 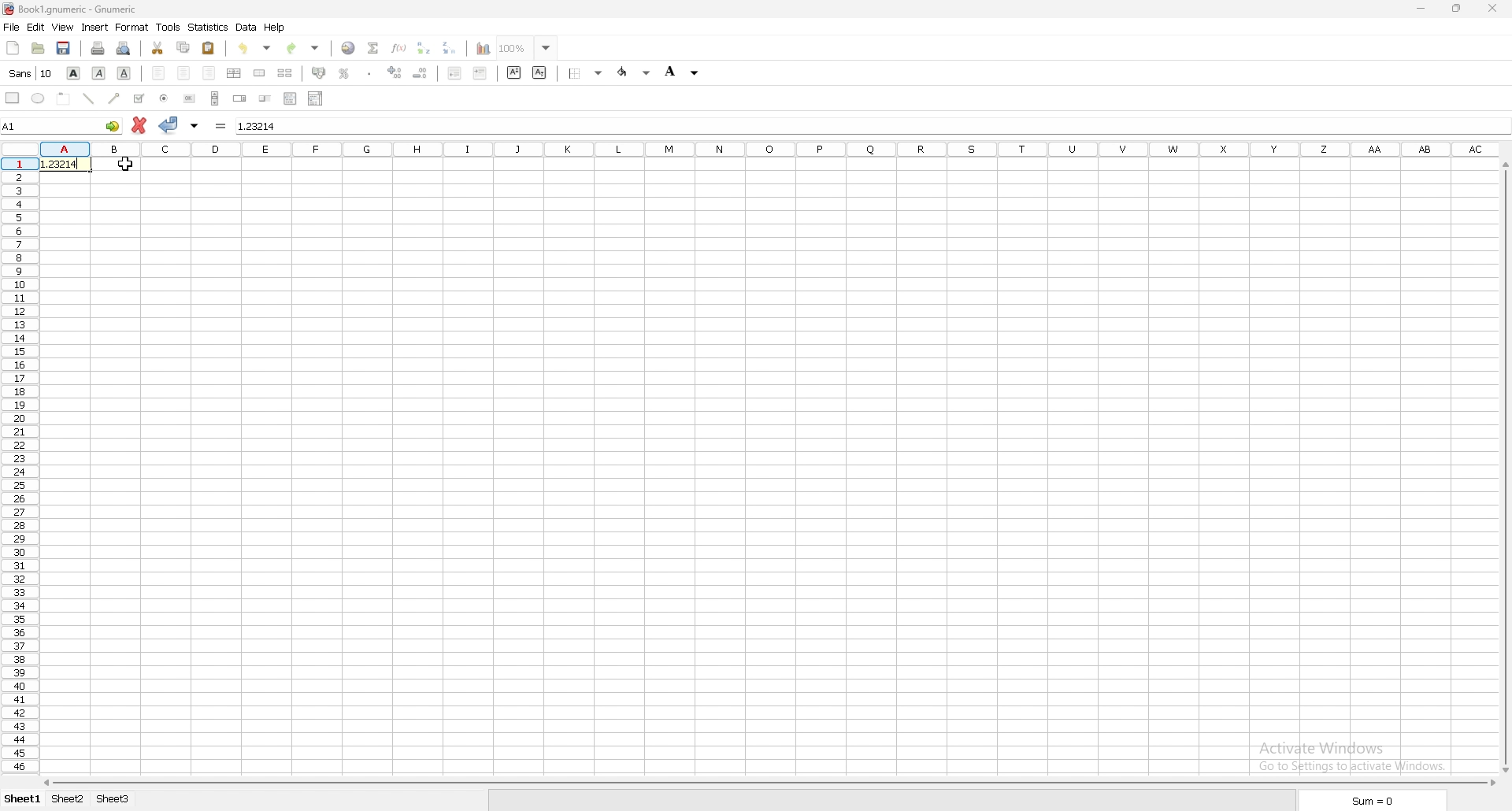 What do you see at coordinates (195, 125) in the screenshot?
I see `accept changes in all cells` at bounding box center [195, 125].